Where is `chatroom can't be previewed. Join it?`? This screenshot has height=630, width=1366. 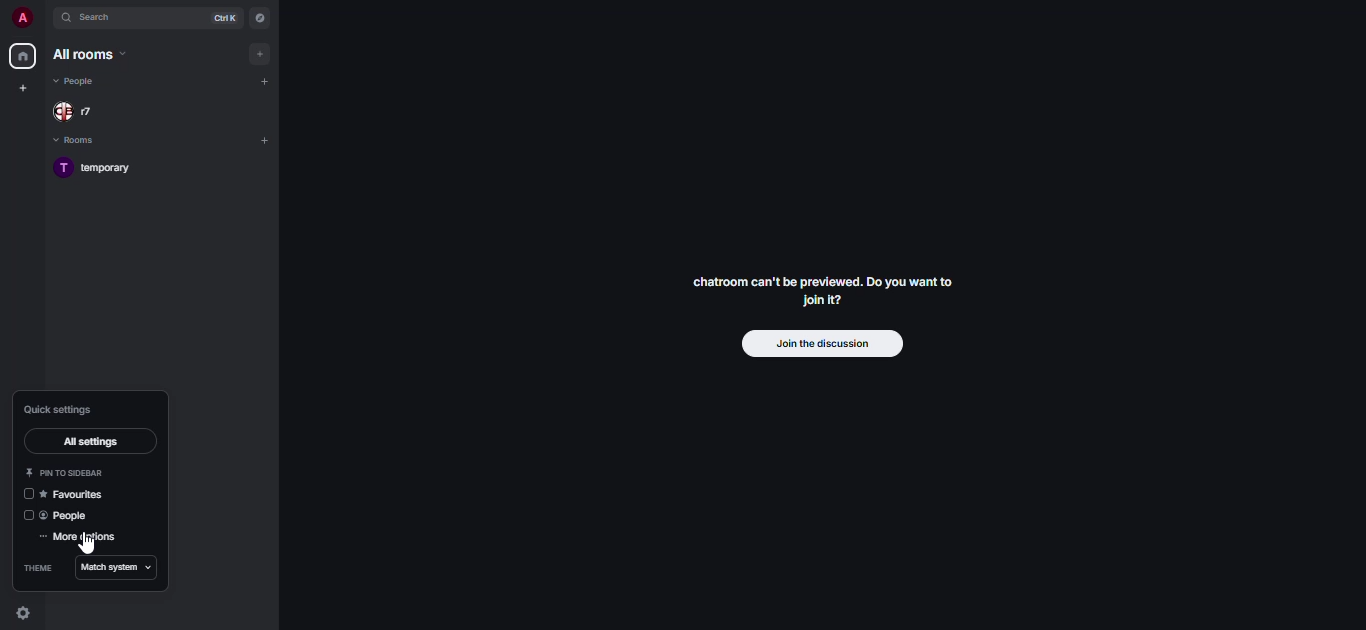
chatroom can't be previewed. Join it? is located at coordinates (829, 288).